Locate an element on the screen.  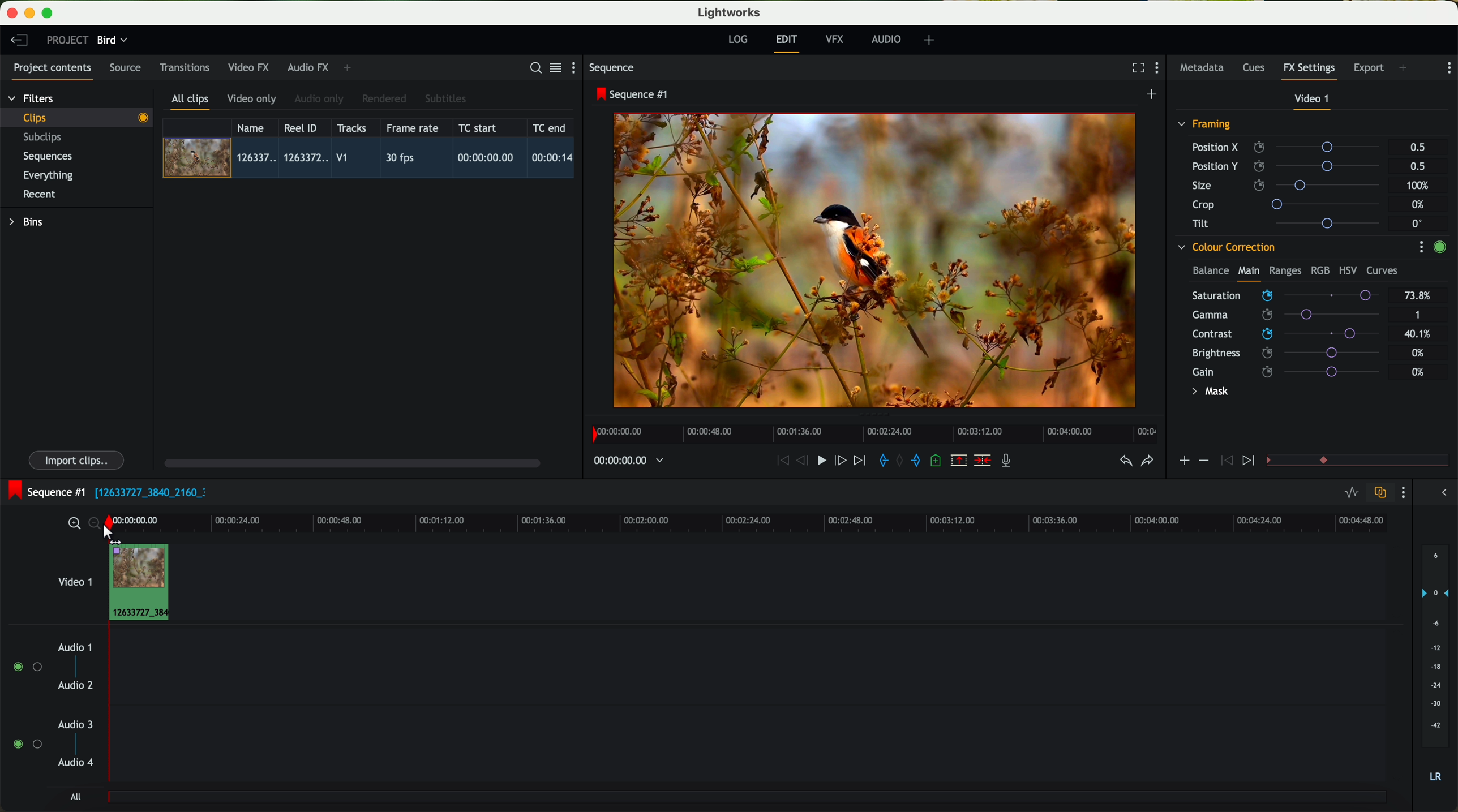
40.1% is located at coordinates (1421, 334).